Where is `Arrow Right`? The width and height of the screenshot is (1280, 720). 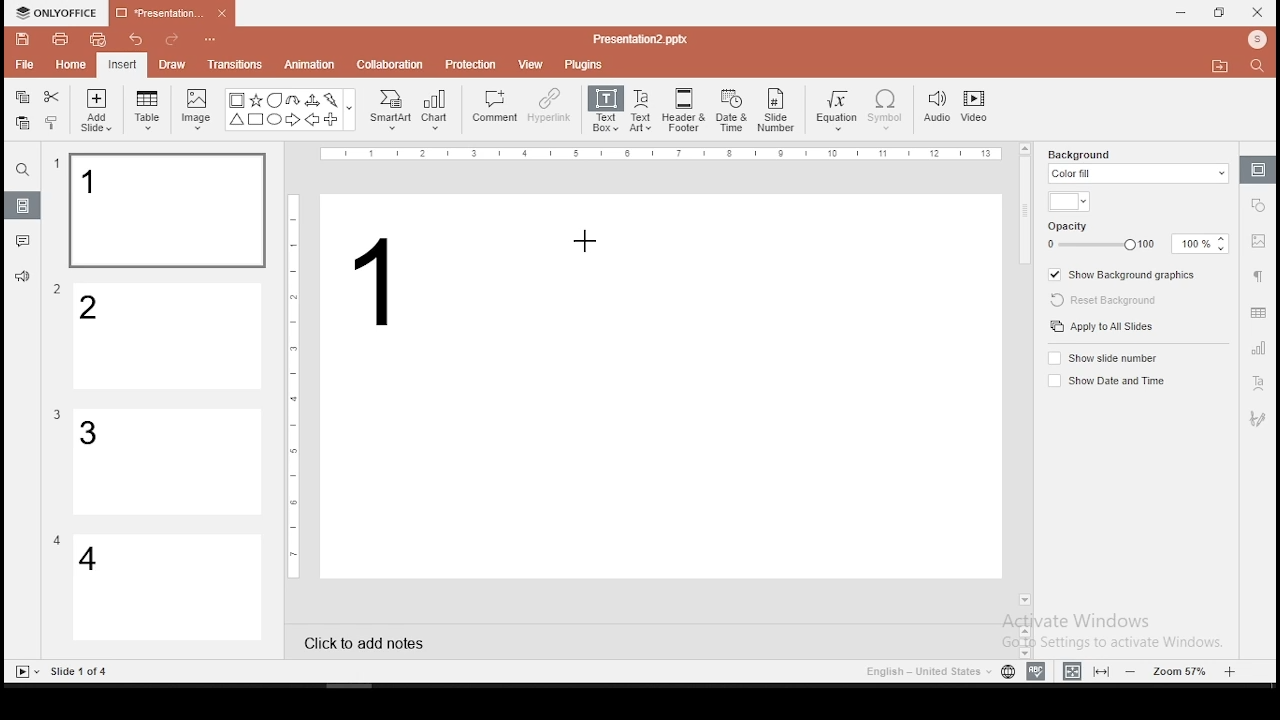 Arrow Right is located at coordinates (294, 121).